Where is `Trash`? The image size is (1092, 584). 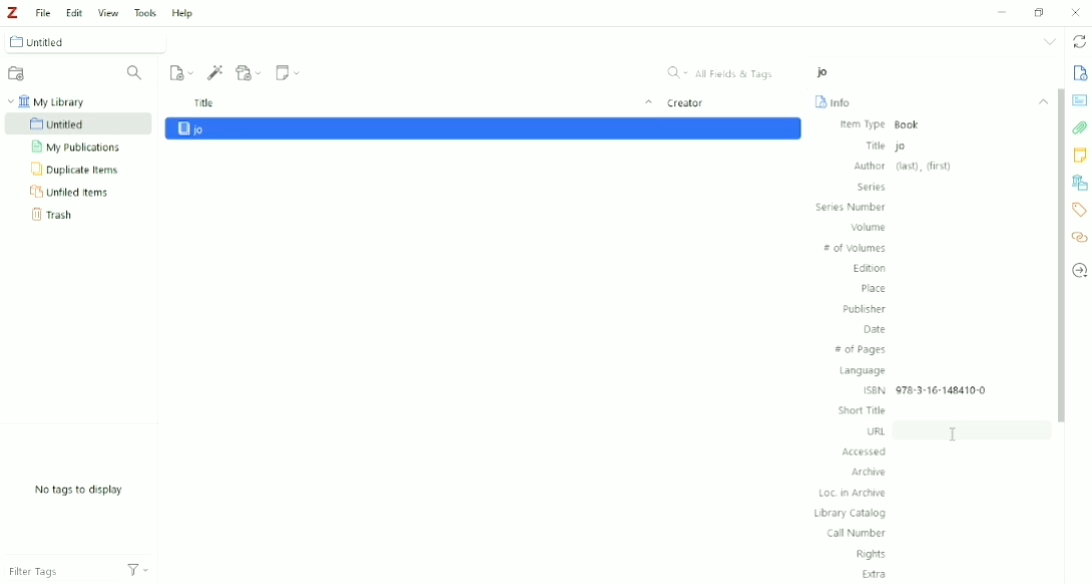 Trash is located at coordinates (57, 217).